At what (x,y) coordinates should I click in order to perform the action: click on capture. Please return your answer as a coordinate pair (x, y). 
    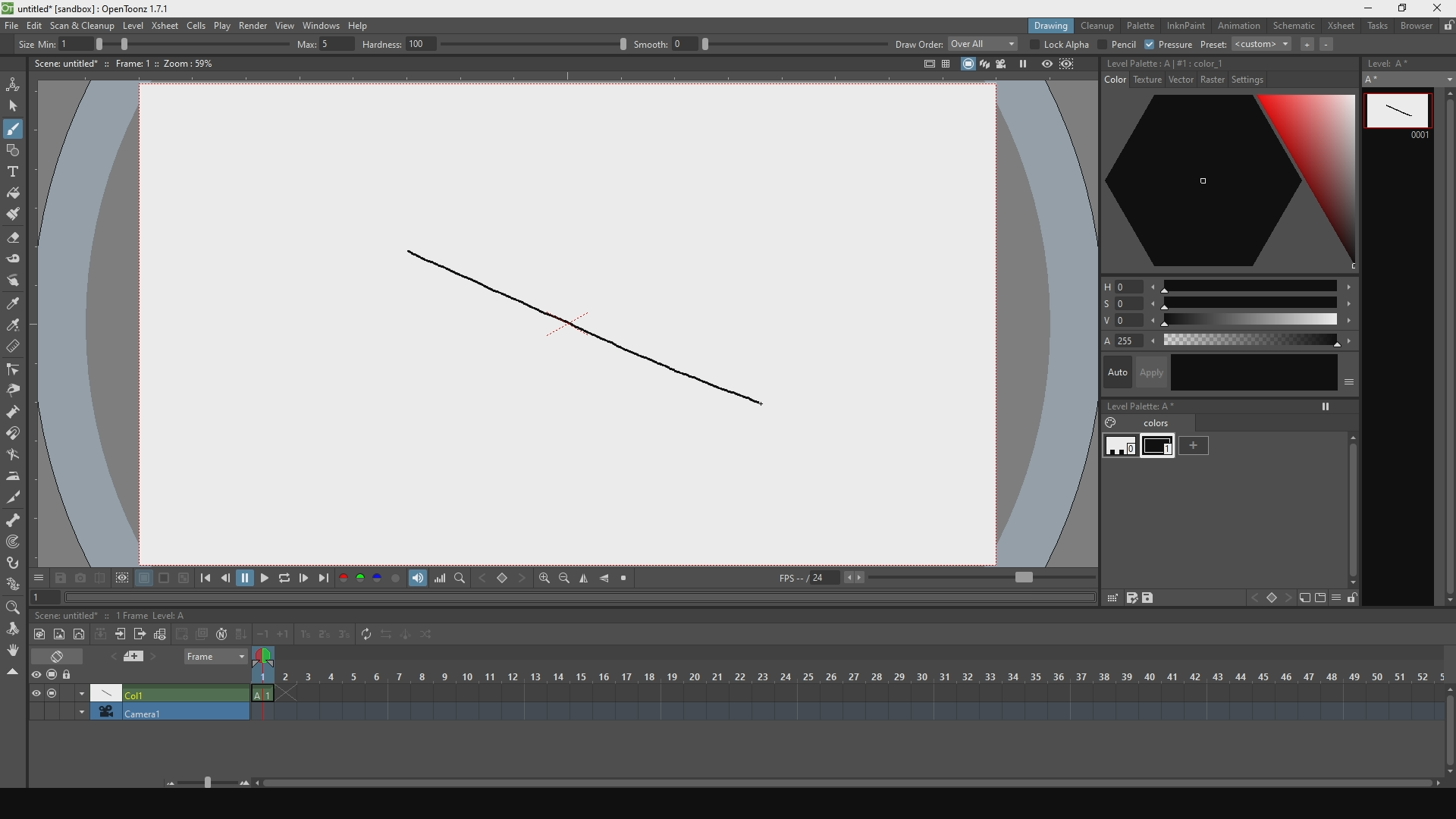
    Looking at the image, I should click on (79, 579).